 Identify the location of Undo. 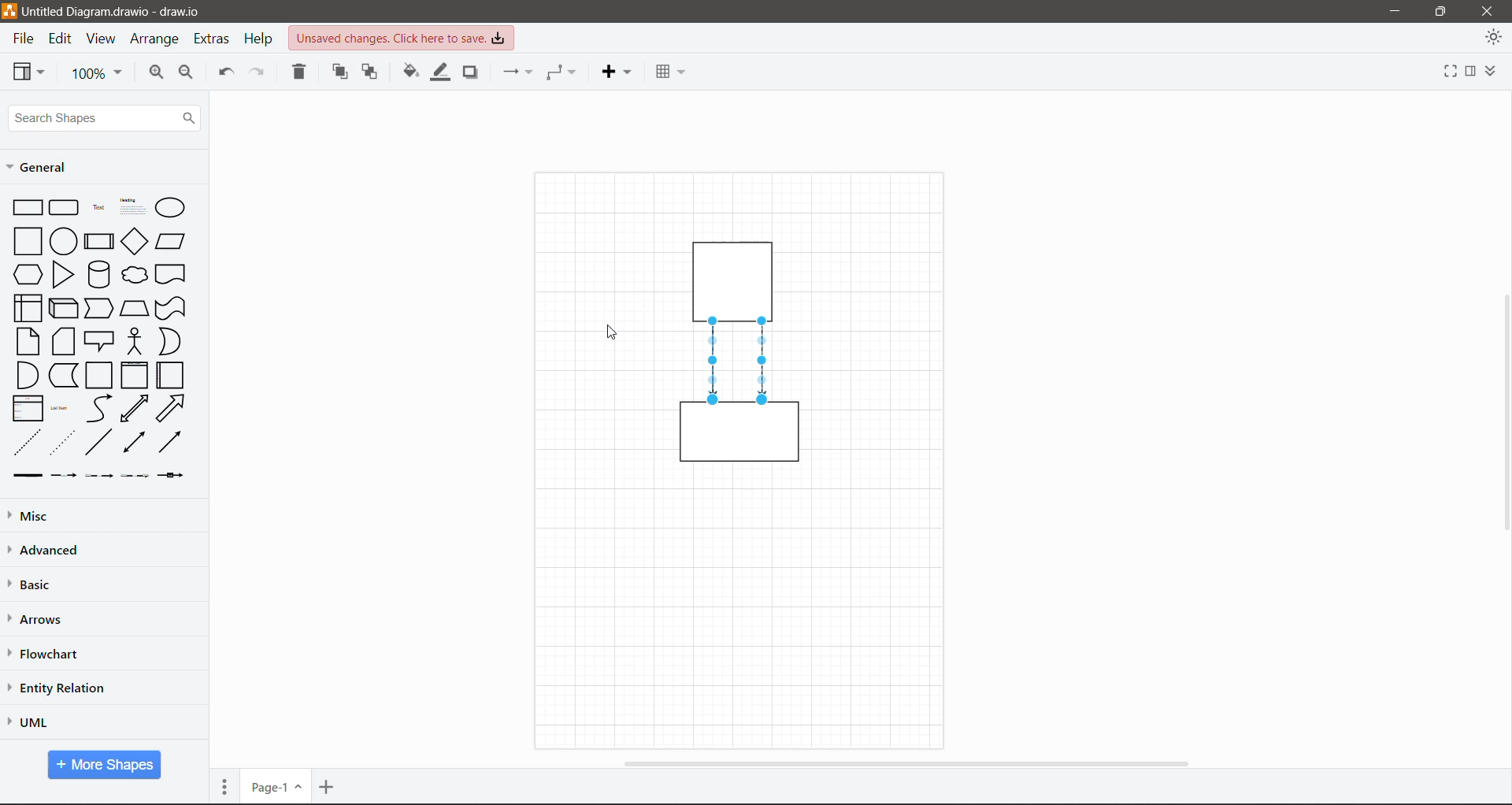
(224, 74).